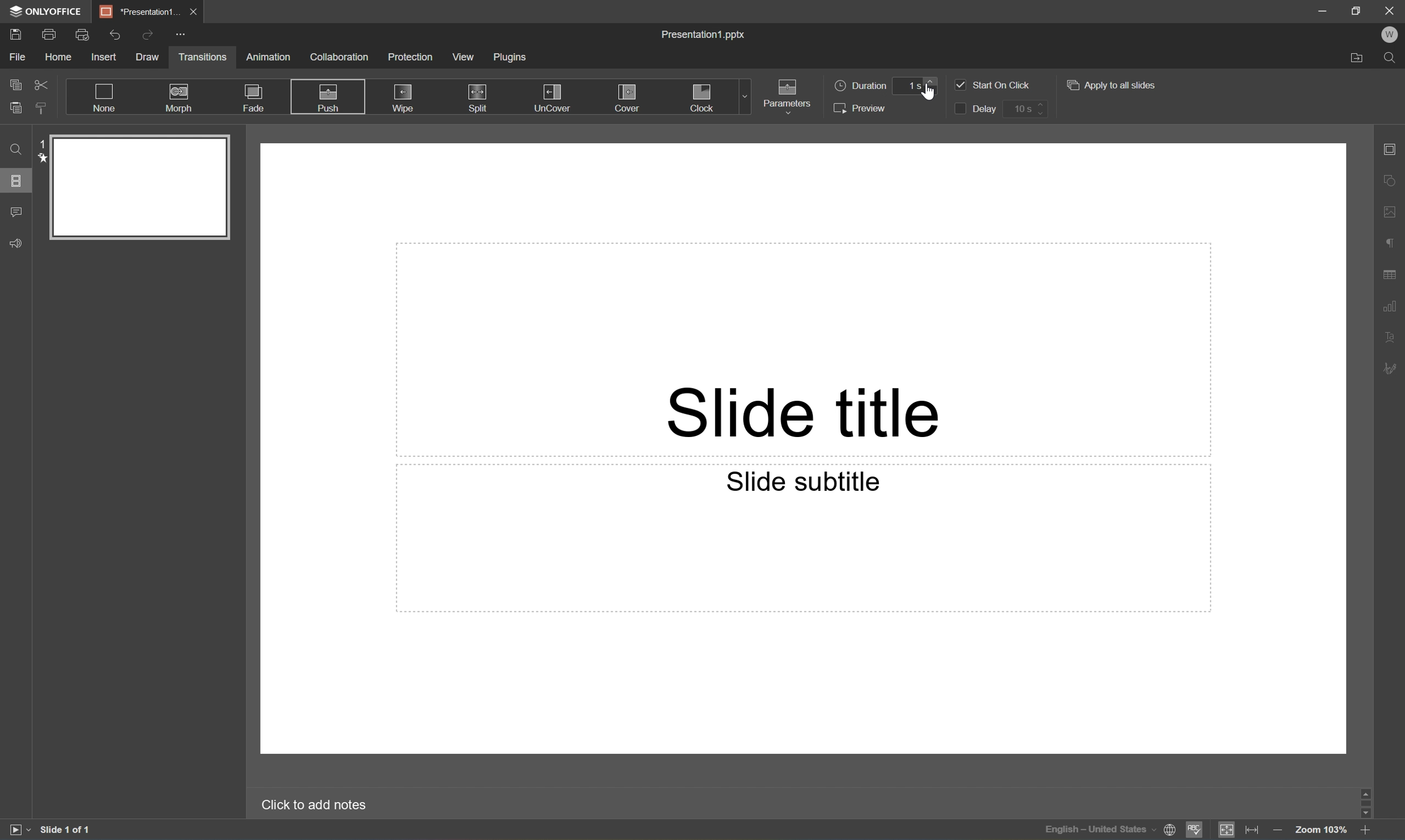 This screenshot has width=1405, height=840. What do you see at coordinates (1096, 830) in the screenshot?
I see `` at bounding box center [1096, 830].